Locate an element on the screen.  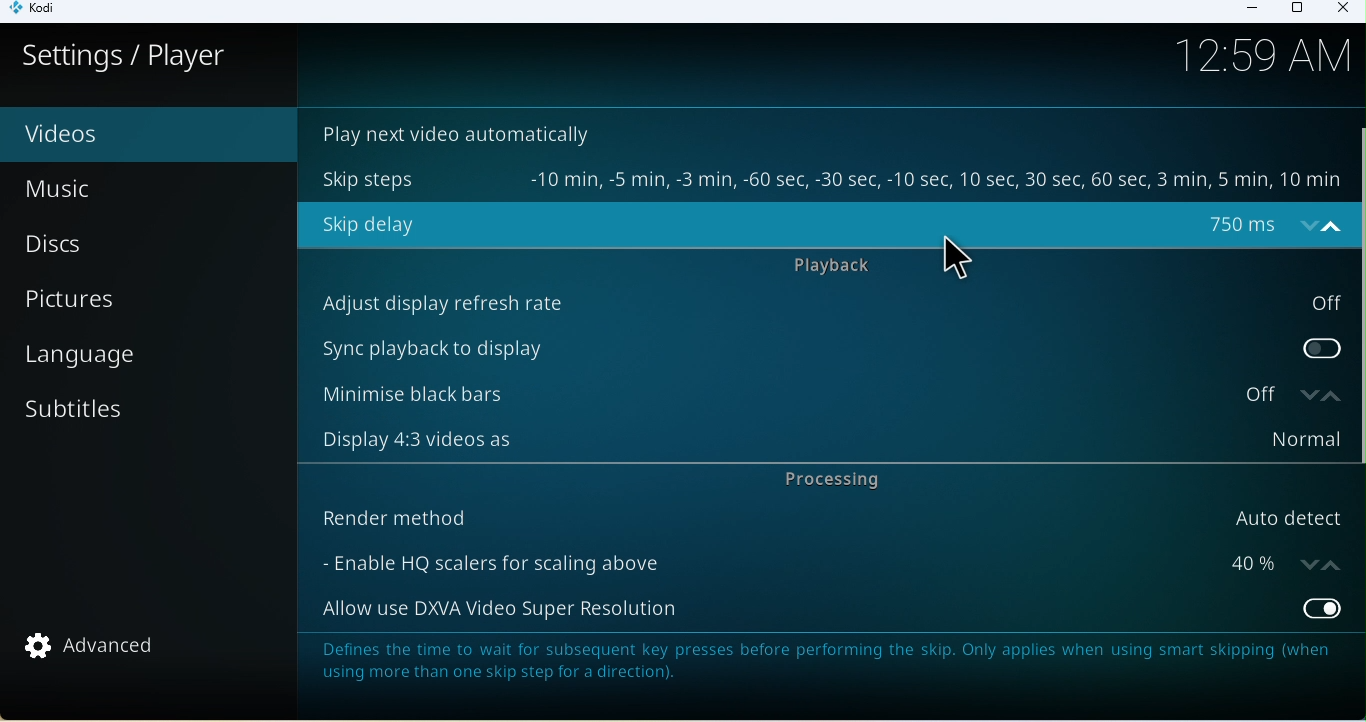
Cursor is located at coordinates (955, 256).